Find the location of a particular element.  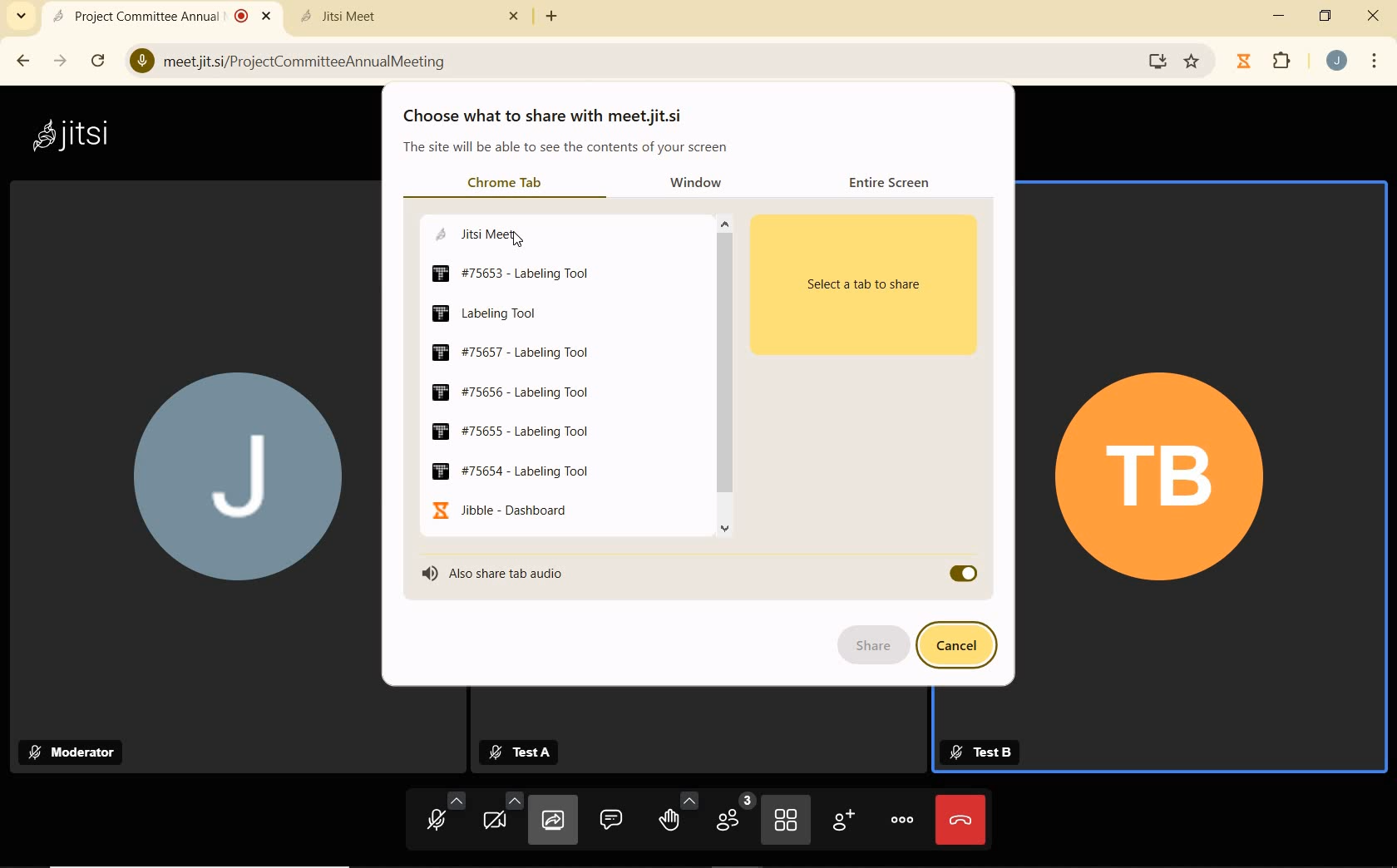

TOGGLE TIE VIEW is located at coordinates (787, 821).